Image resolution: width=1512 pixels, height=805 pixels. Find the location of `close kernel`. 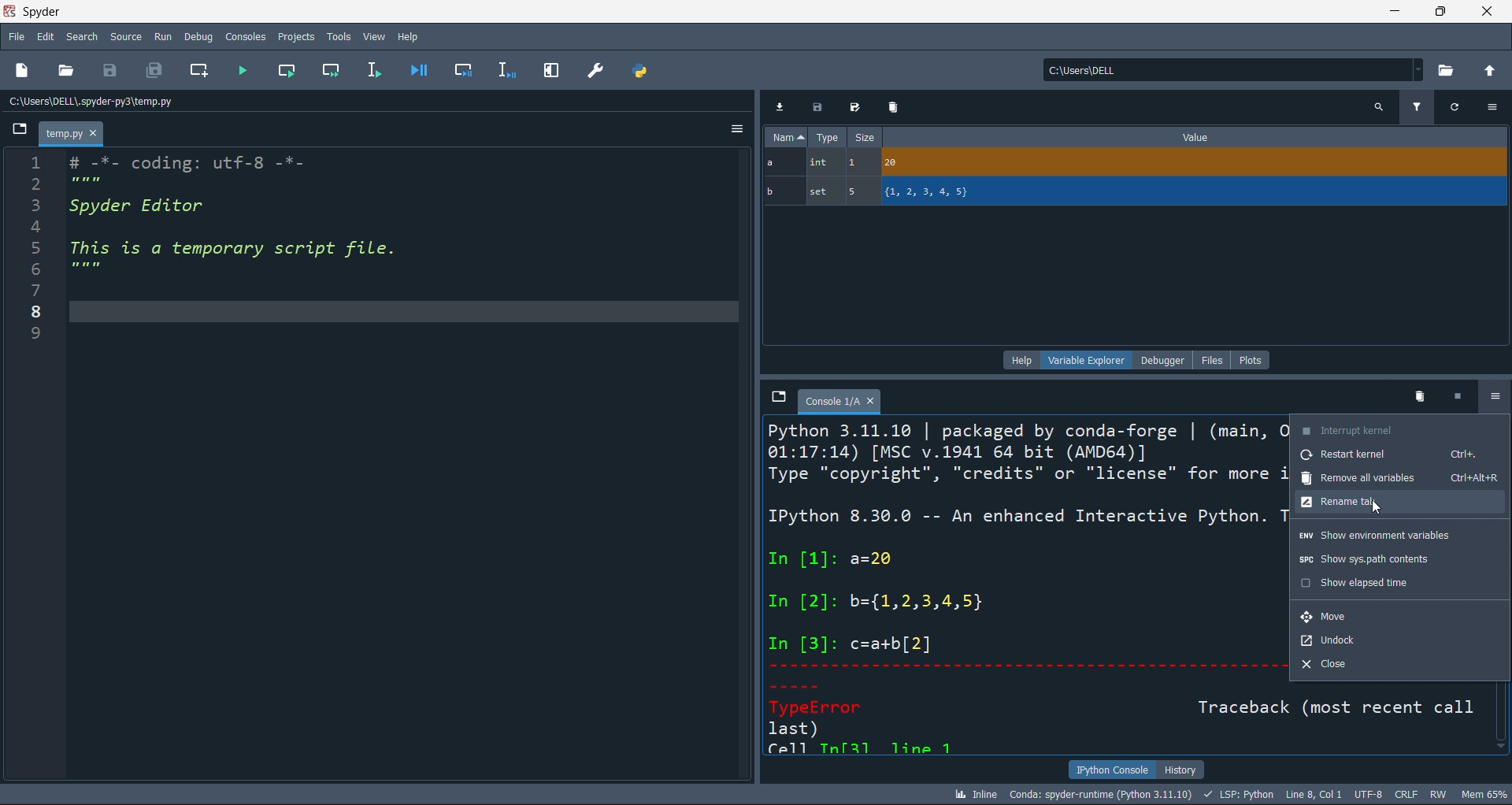

close kernel is located at coordinates (1453, 397).